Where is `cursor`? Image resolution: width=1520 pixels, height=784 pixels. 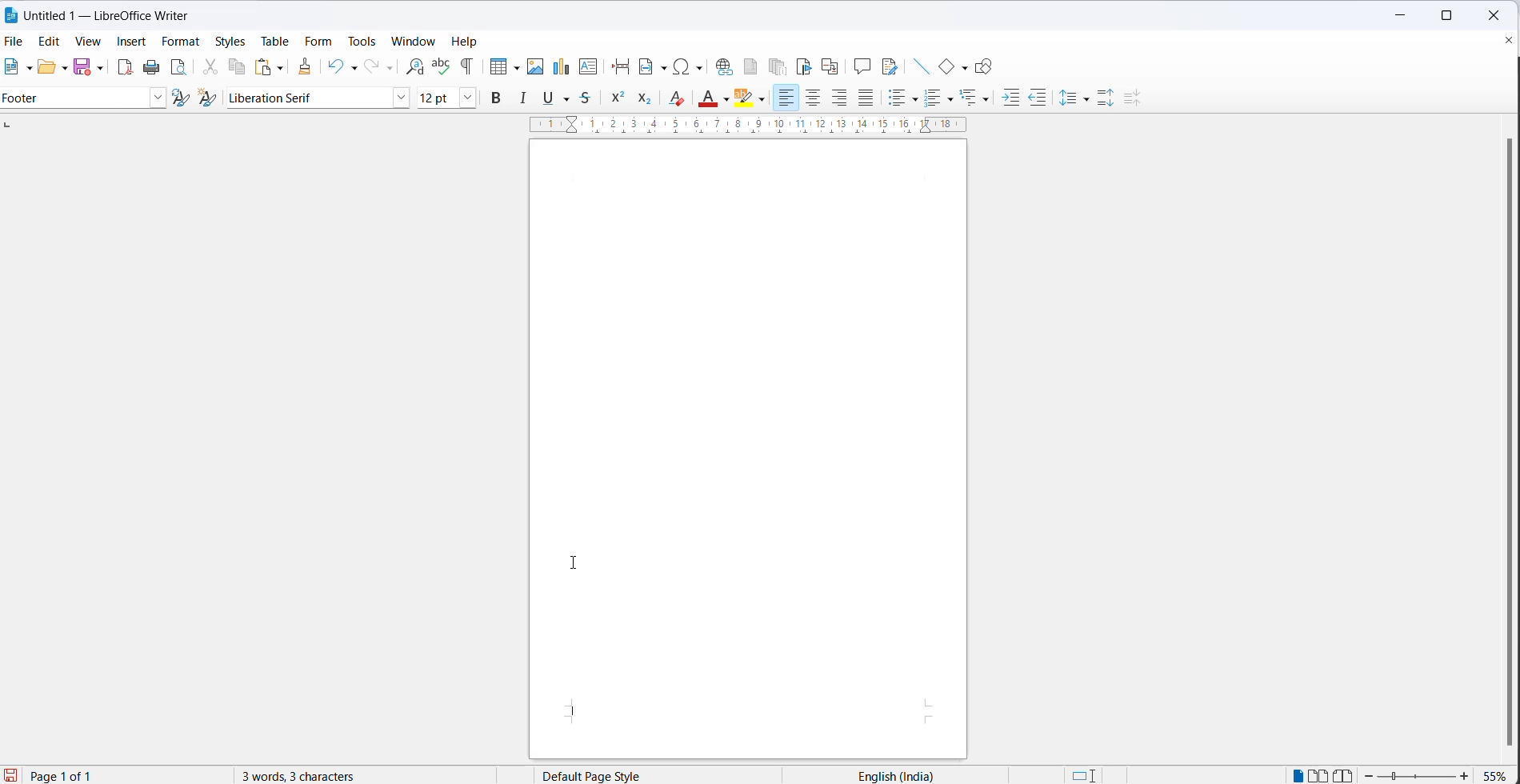 cursor is located at coordinates (579, 566).